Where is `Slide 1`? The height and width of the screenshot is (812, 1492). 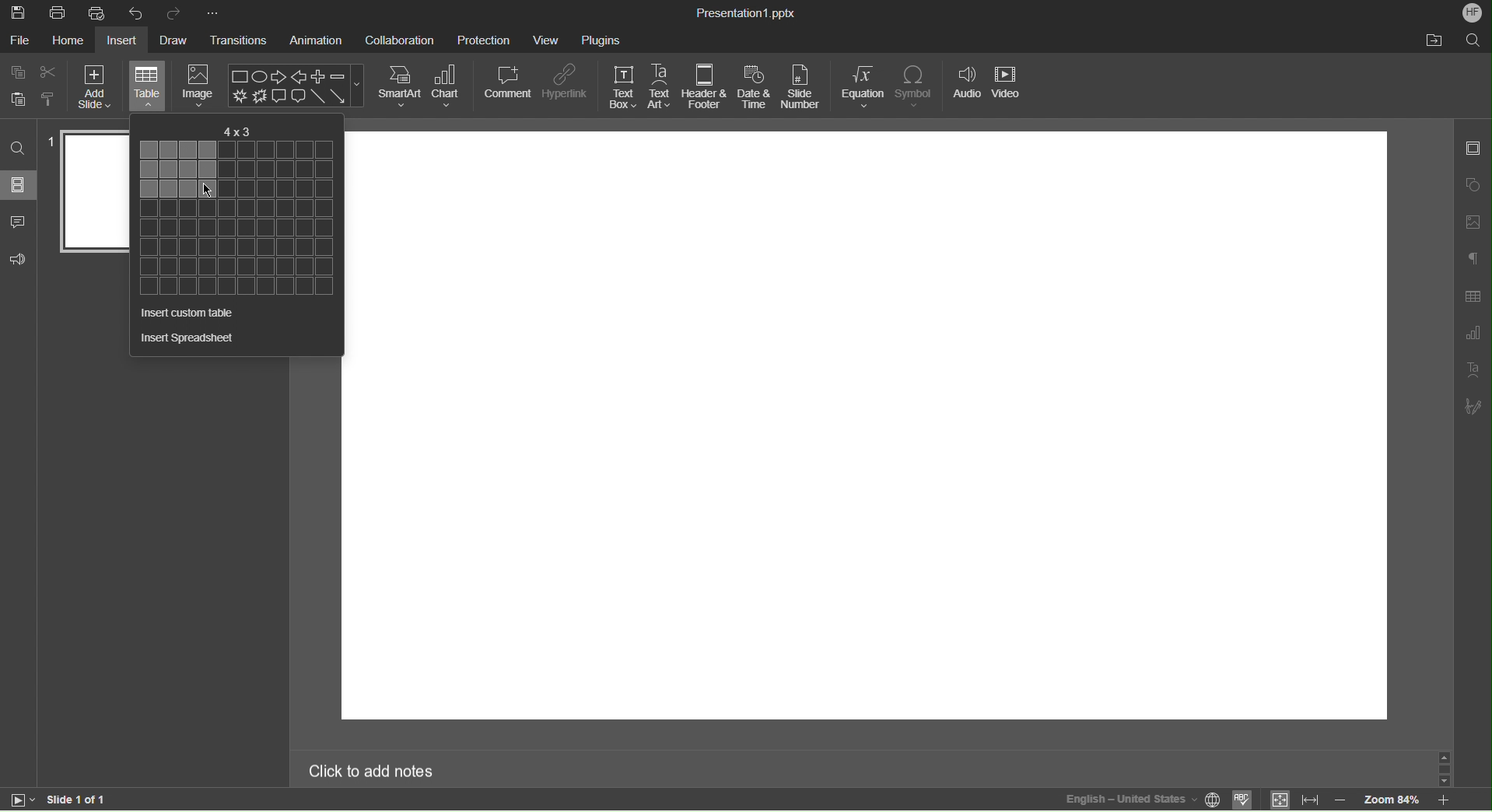
Slide 1 is located at coordinates (94, 191).